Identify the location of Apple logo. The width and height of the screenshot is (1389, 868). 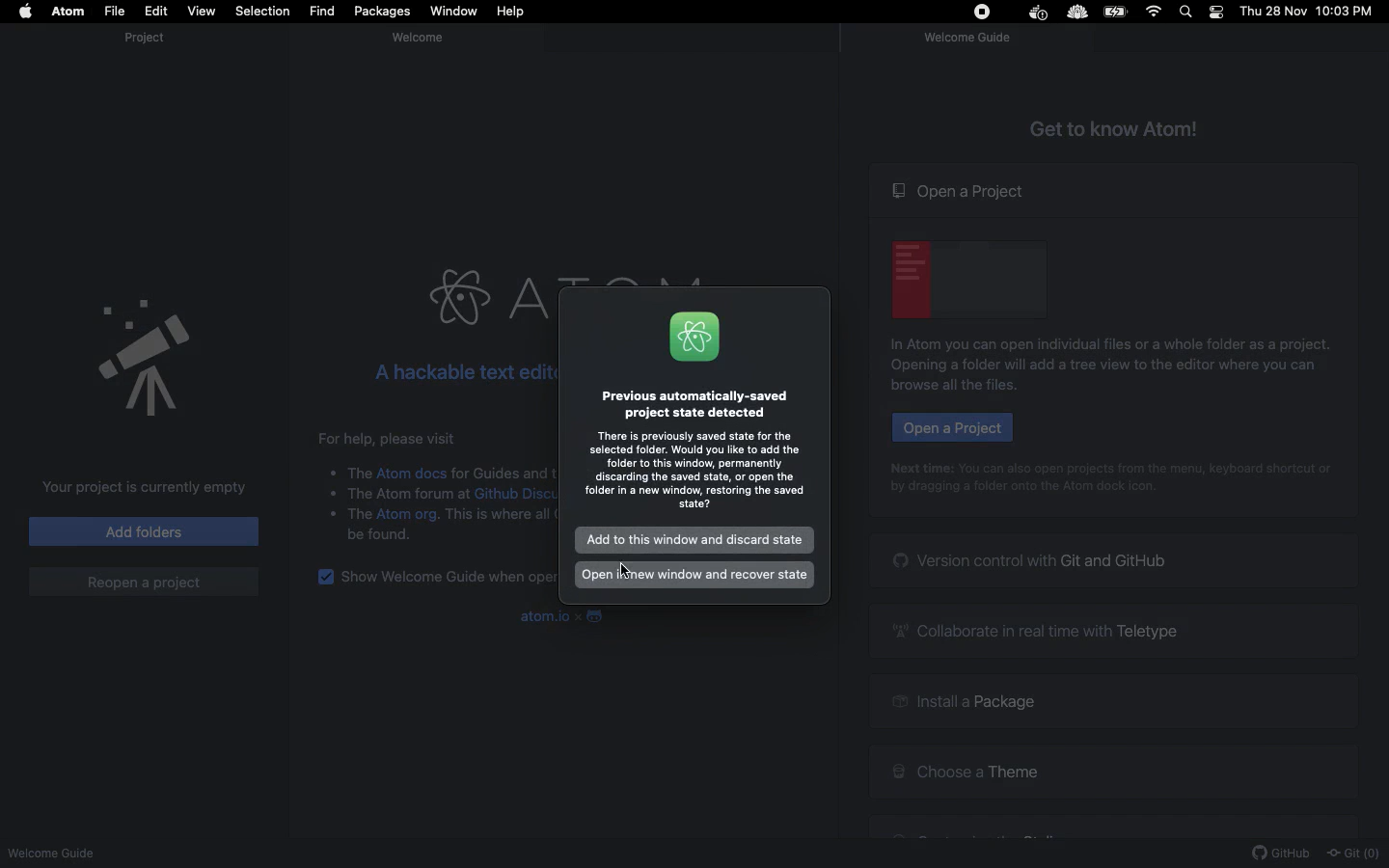
(26, 10).